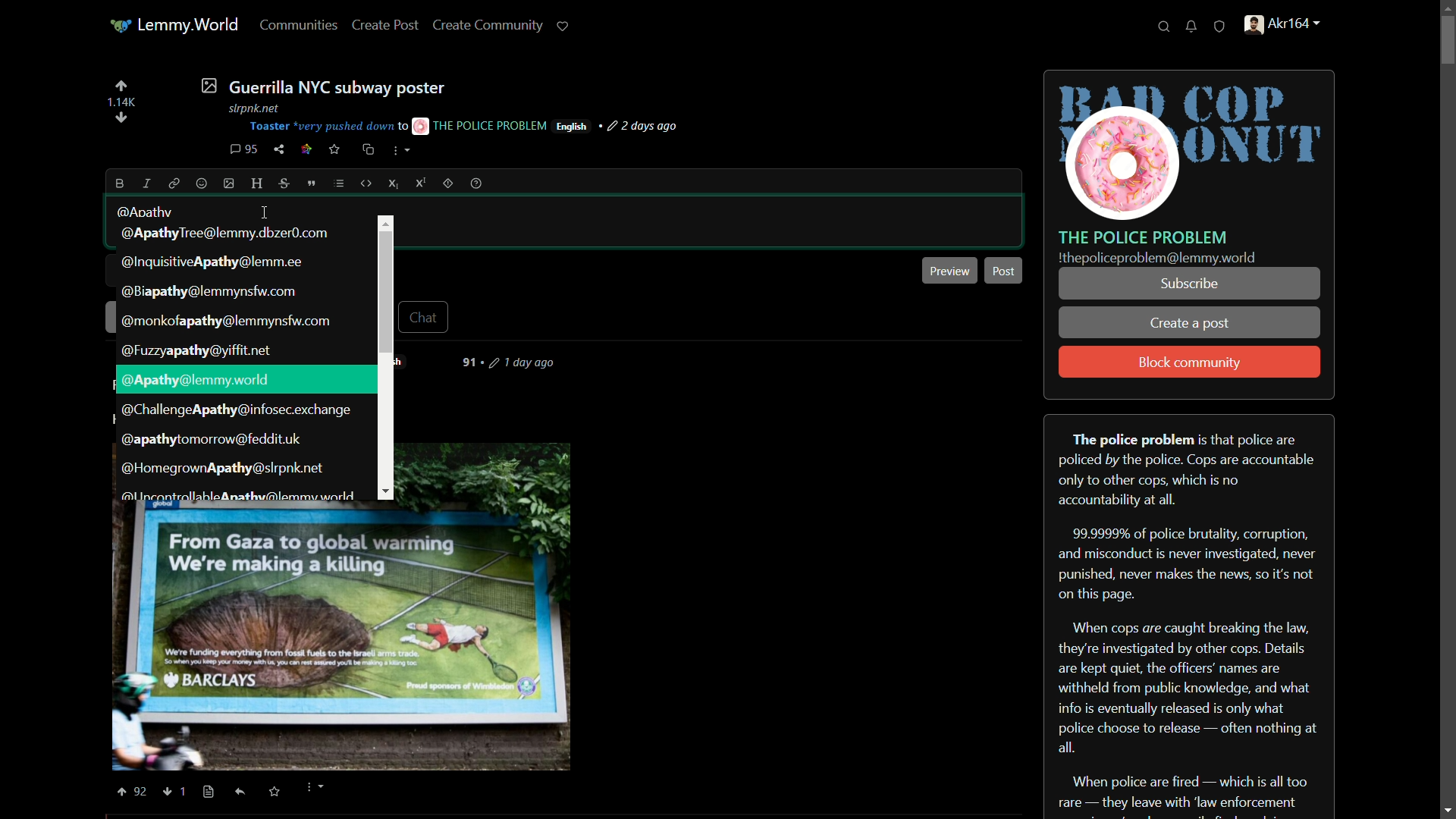 This screenshot has height=819, width=1456. I want to click on , so click(120, 792).